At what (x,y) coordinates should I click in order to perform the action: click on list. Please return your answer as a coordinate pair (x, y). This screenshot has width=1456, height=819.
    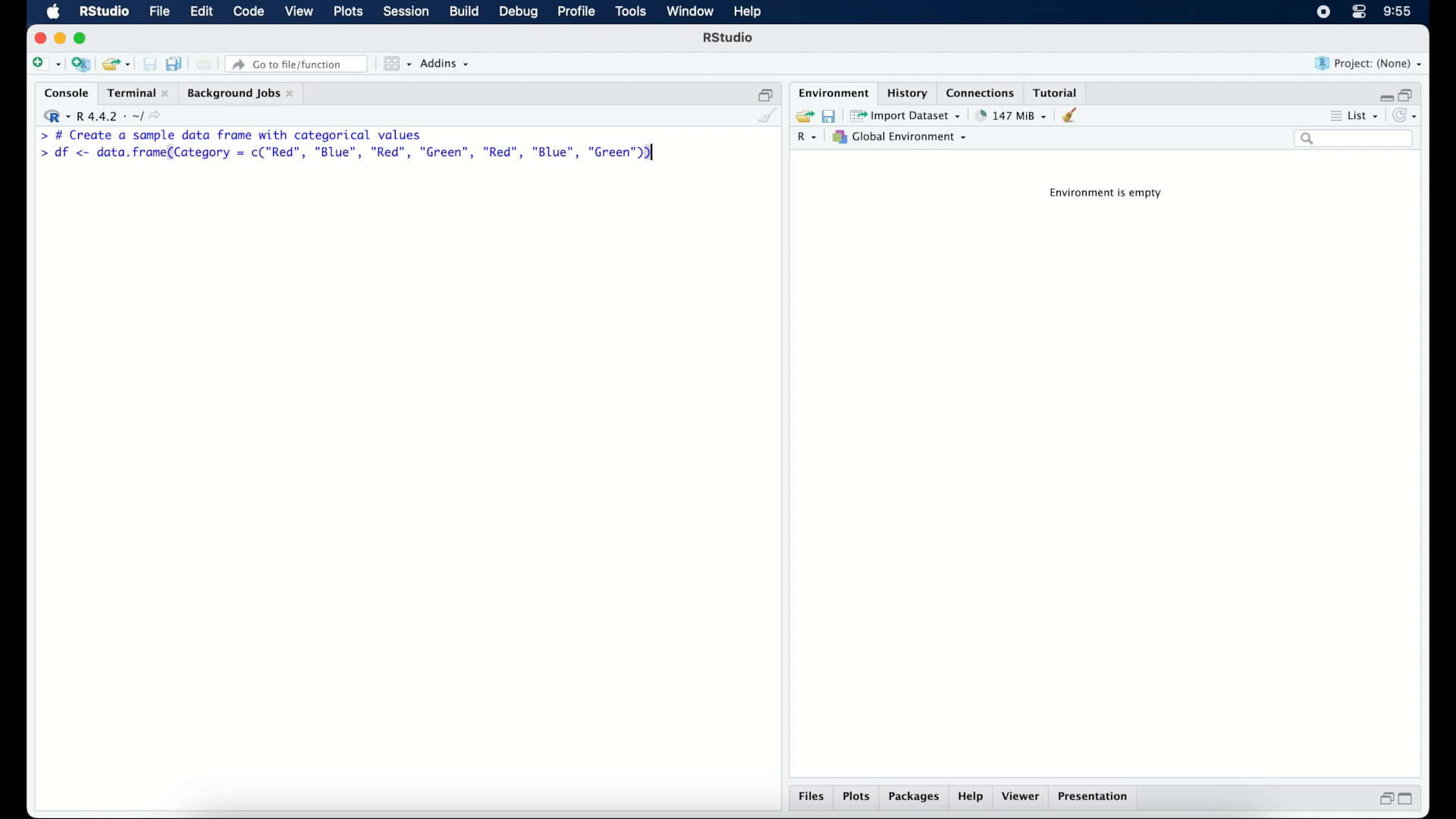
    Looking at the image, I should click on (1366, 115).